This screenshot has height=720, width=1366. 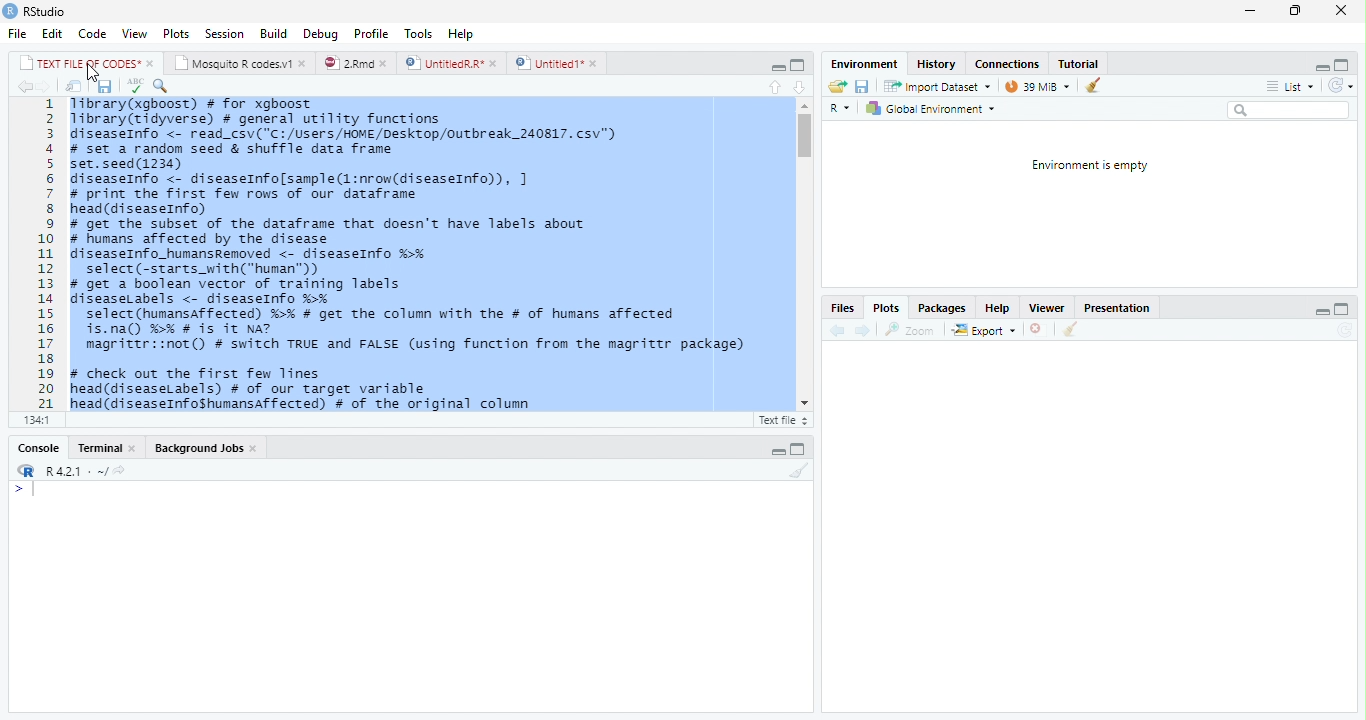 I want to click on View, so click(x=134, y=34).